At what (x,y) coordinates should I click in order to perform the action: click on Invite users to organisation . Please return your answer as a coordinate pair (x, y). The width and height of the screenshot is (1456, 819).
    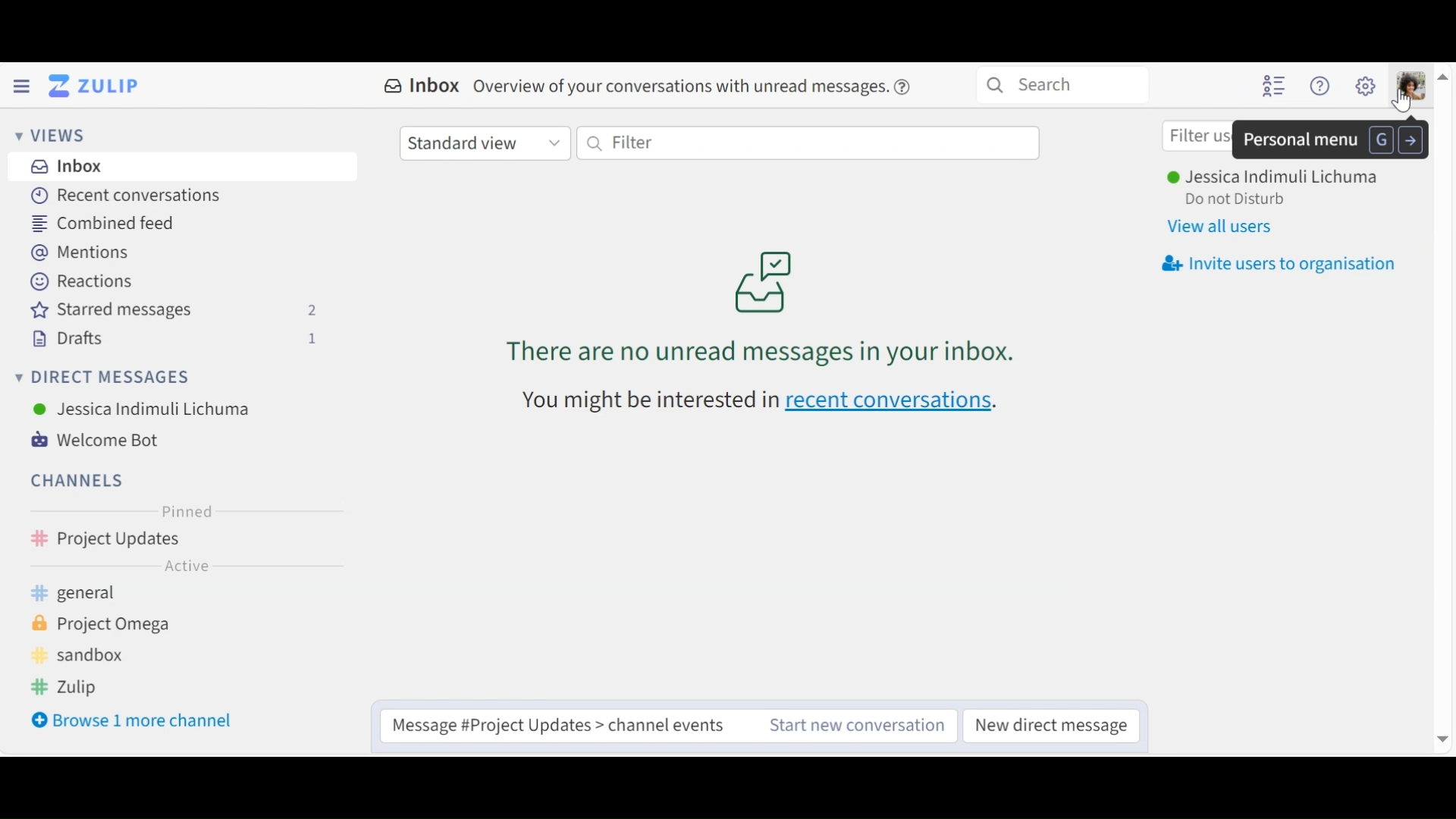
    Looking at the image, I should click on (1278, 264).